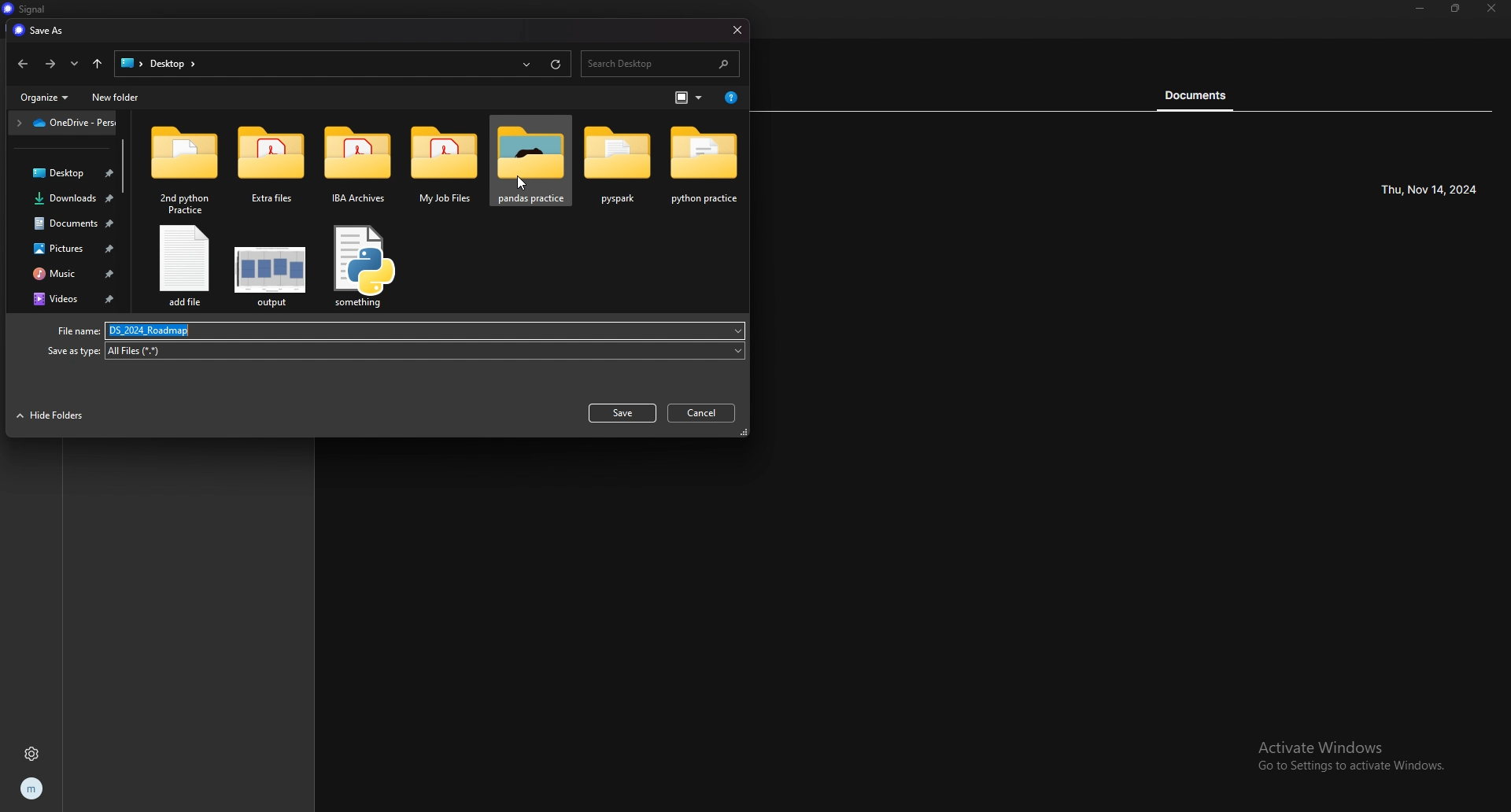 Image resolution: width=1511 pixels, height=812 pixels. What do you see at coordinates (364, 264) in the screenshot?
I see `file` at bounding box center [364, 264].